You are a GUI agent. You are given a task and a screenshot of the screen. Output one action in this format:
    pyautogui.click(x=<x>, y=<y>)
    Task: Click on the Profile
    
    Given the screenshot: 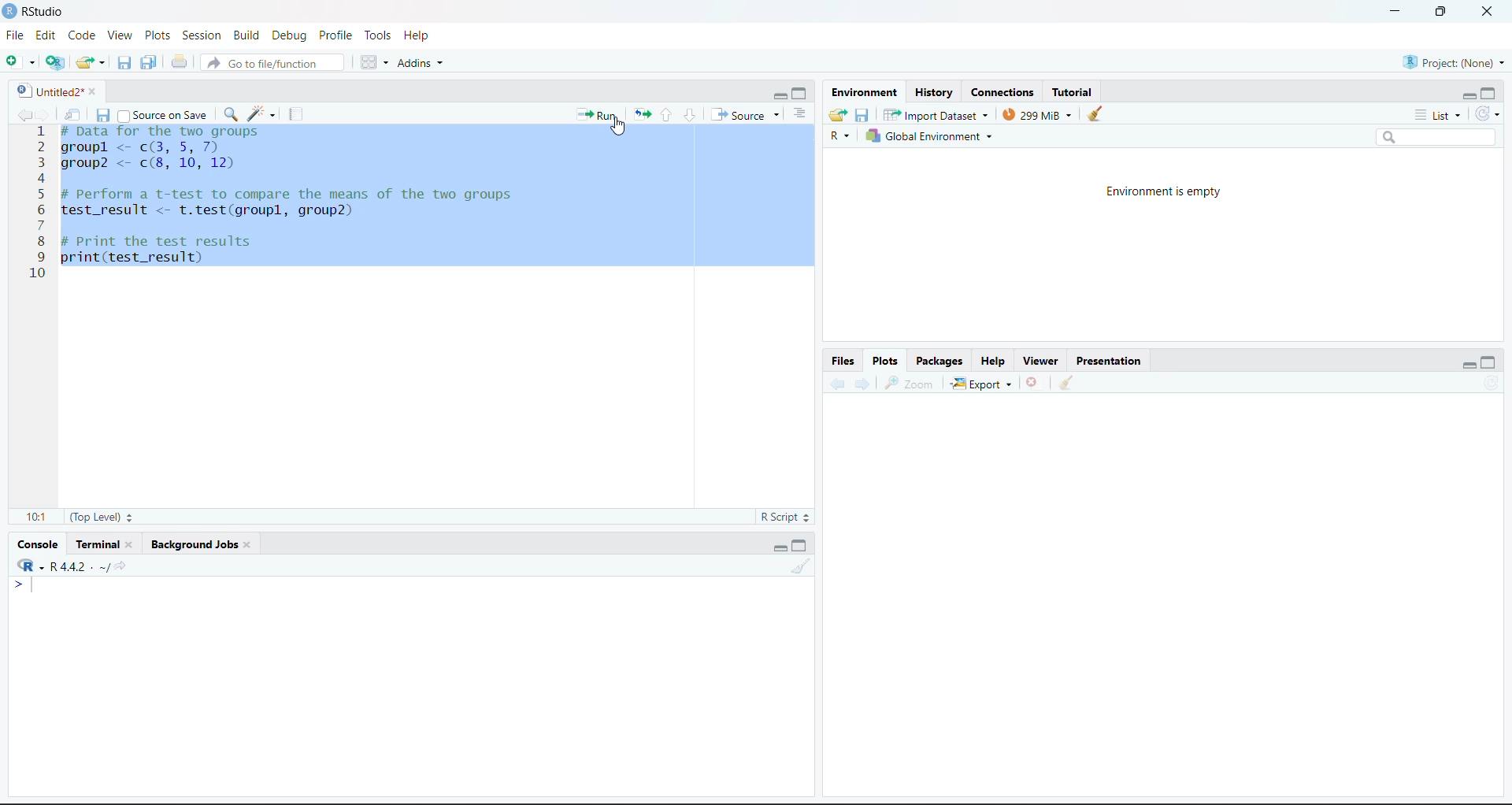 What is the action you would take?
    pyautogui.click(x=339, y=35)
    